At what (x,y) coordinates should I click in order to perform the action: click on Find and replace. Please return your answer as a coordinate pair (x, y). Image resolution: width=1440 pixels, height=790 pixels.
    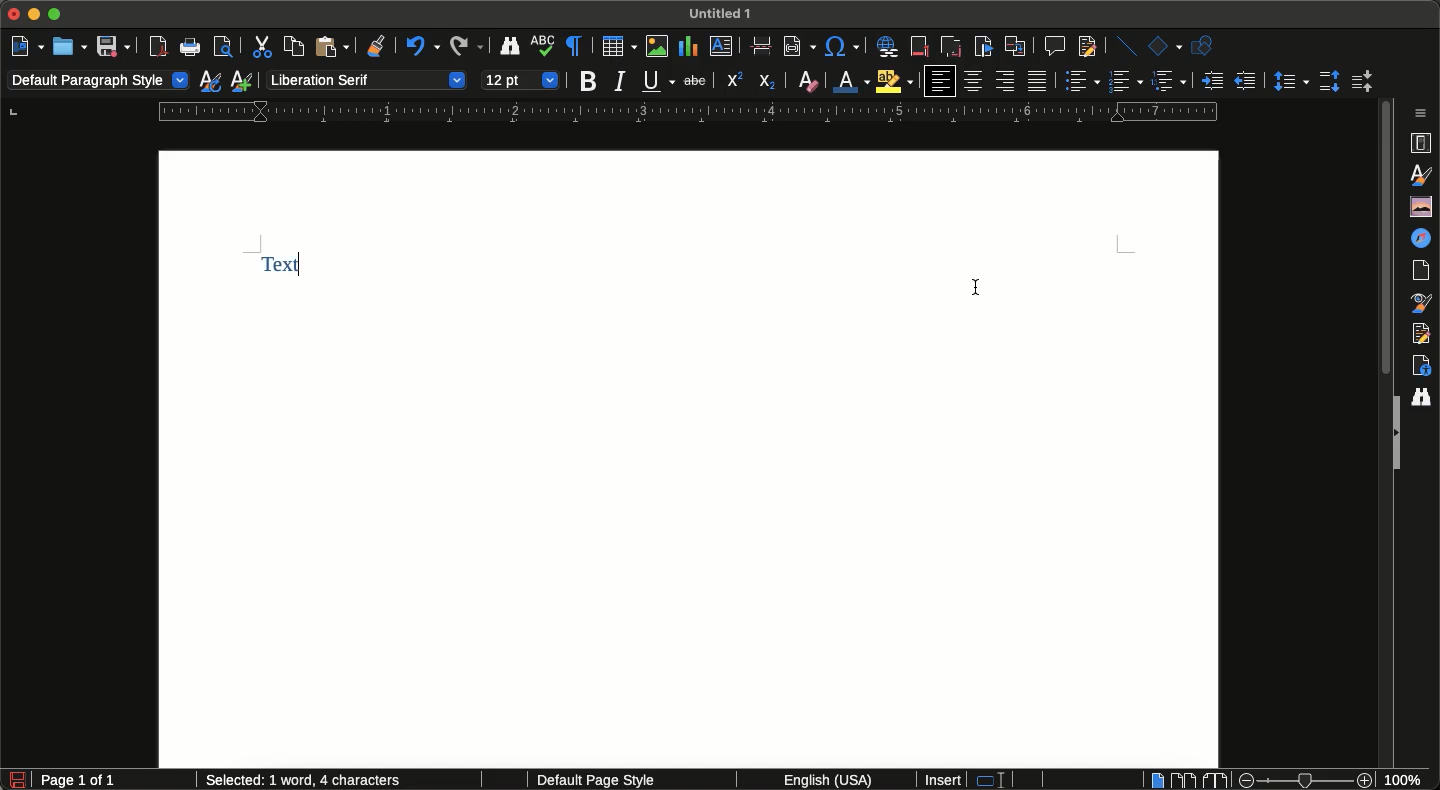
    Looking at the image, I should click on (510, 49).